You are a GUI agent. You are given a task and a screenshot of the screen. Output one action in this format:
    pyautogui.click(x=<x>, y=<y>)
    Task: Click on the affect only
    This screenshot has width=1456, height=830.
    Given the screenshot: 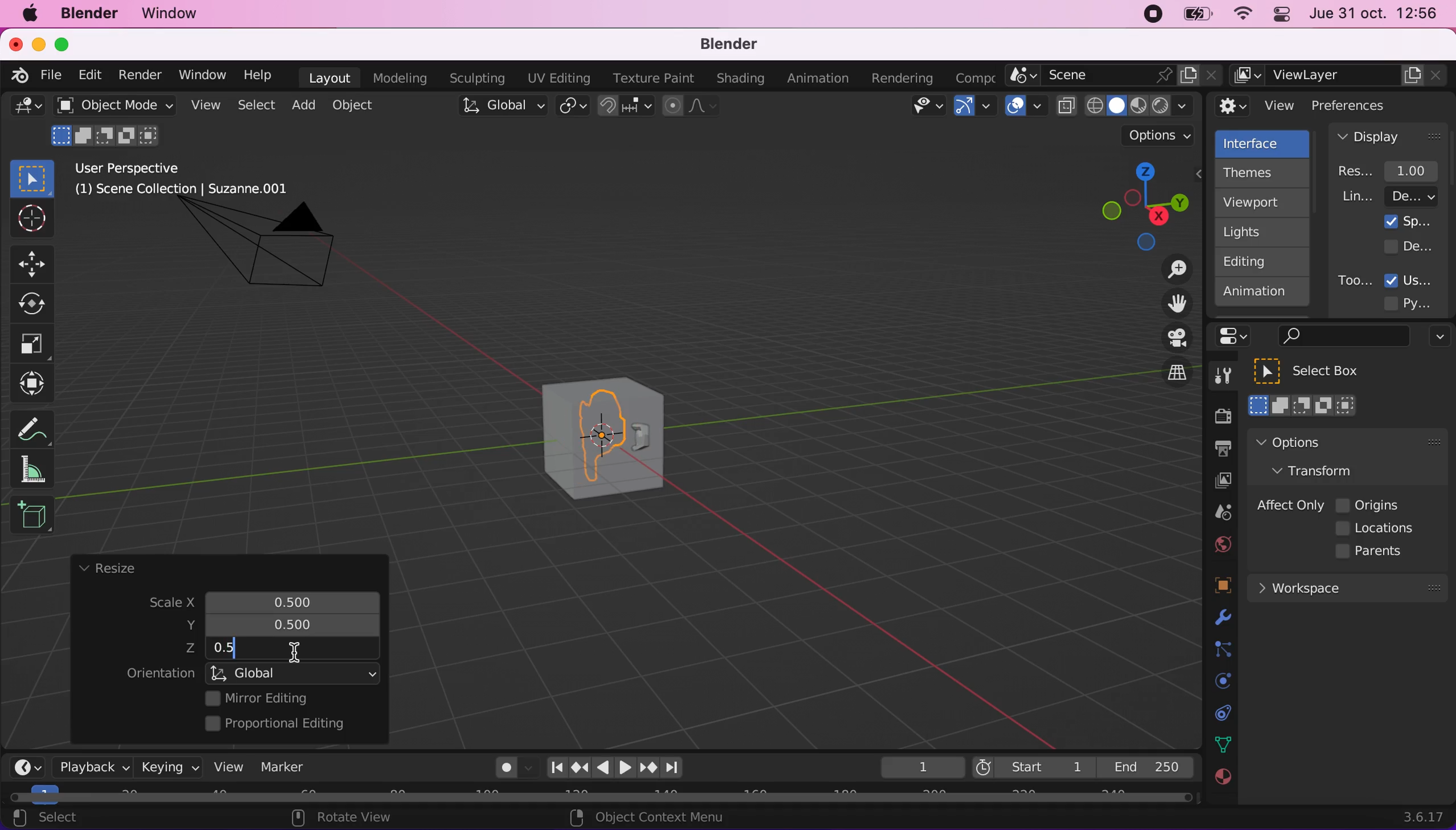 What is the action you would take?
    pyautogui.click(x=1288, y=505)
    